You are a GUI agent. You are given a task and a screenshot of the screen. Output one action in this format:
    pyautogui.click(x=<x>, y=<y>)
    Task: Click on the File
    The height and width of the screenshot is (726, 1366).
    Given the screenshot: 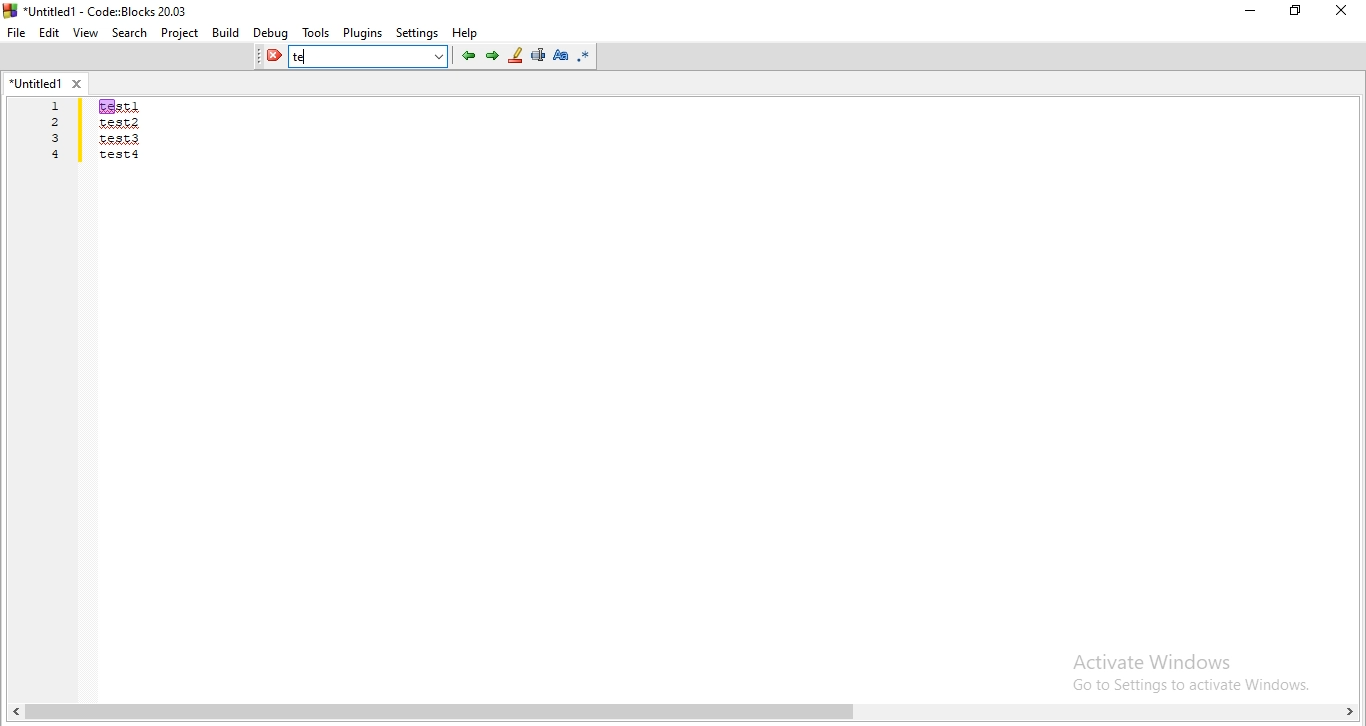 What is the action you would take?
    pyautogui.click(x=16, y=32)
    